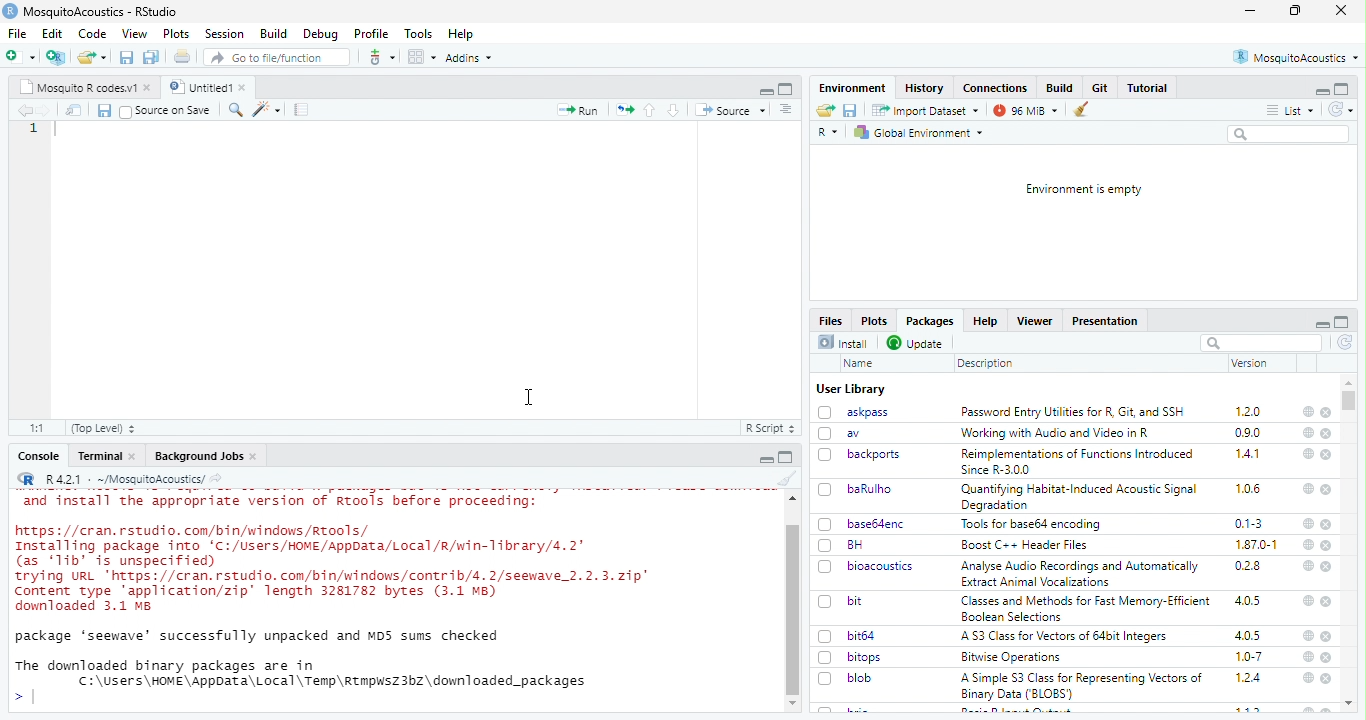 The width and height of the screenshot is (1366, 720). Describe the element at coordinates (74, 110) in the screenshot. I see `Share ` at that location.